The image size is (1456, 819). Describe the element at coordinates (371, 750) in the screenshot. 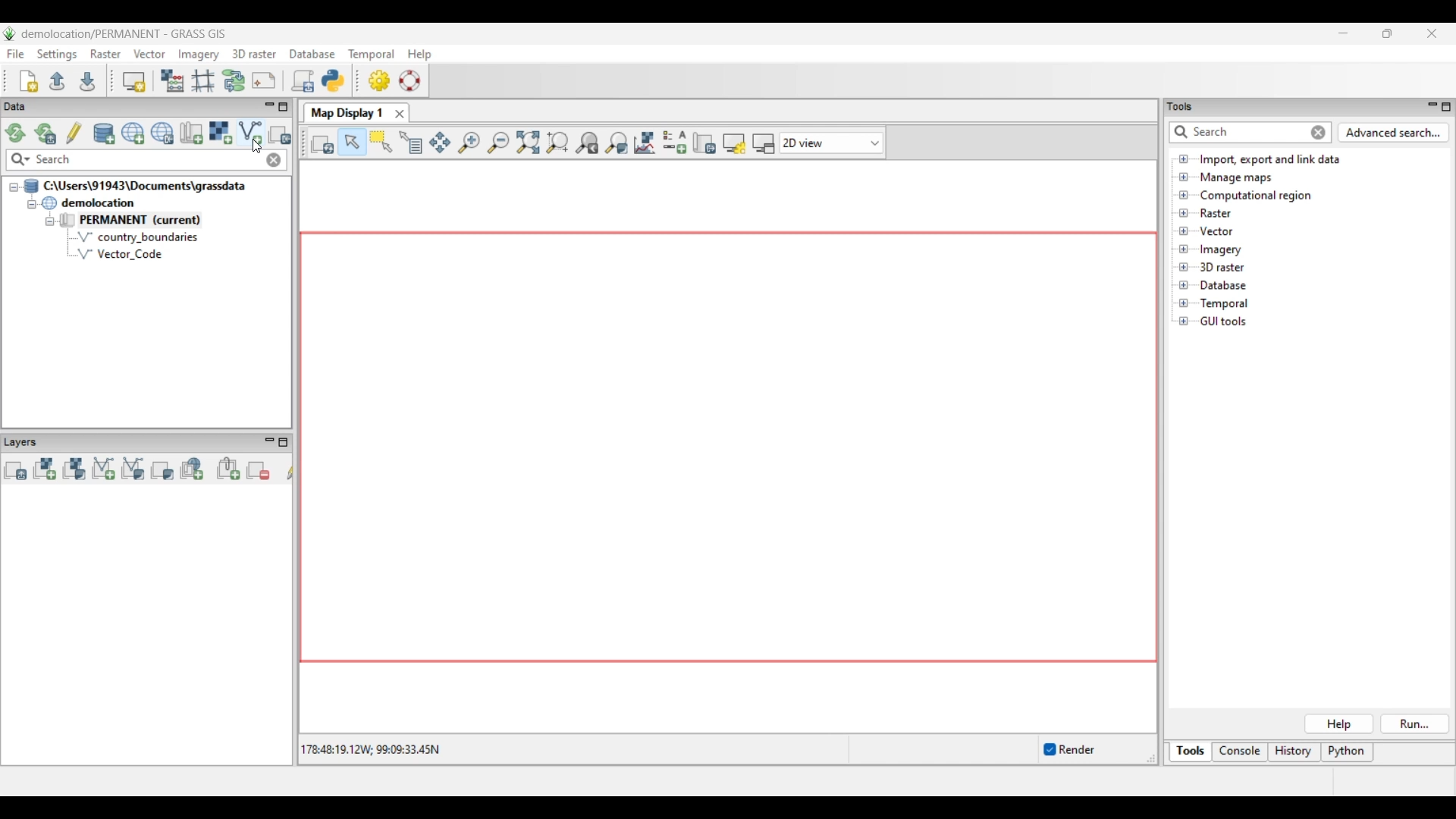

I see `Co-ordinates of the cursor within the display area` at that location.